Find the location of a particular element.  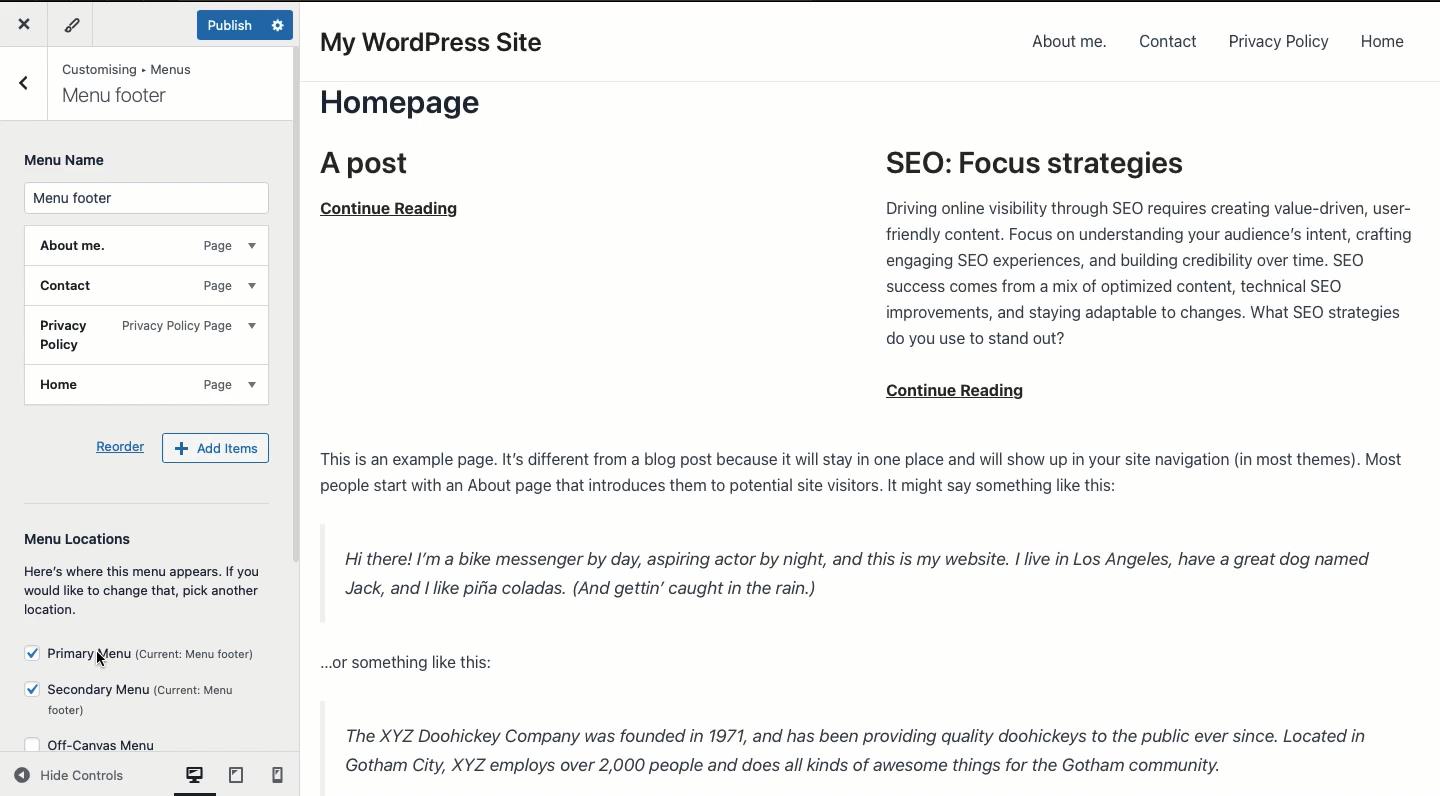

Home is located at coordinates (145, 386).